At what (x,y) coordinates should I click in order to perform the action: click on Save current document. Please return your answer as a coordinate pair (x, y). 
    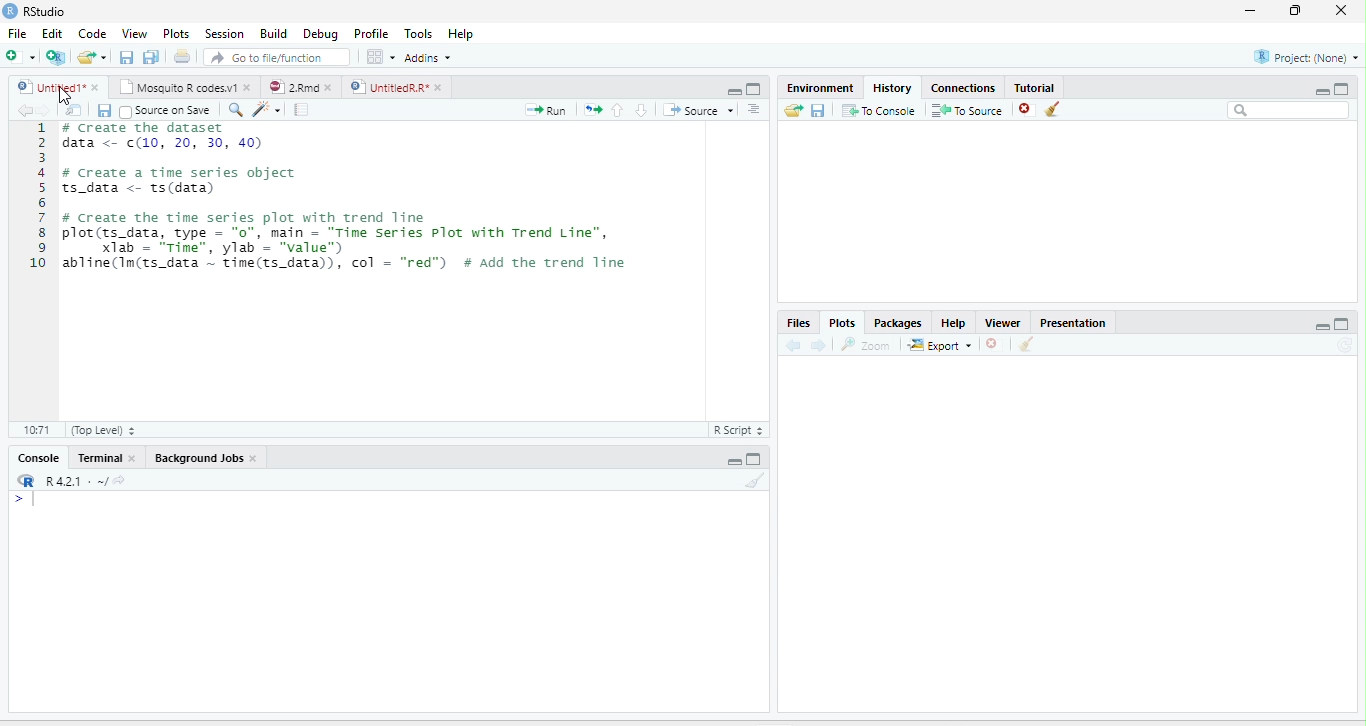
    Looking at the image, I should click on (126, 56).